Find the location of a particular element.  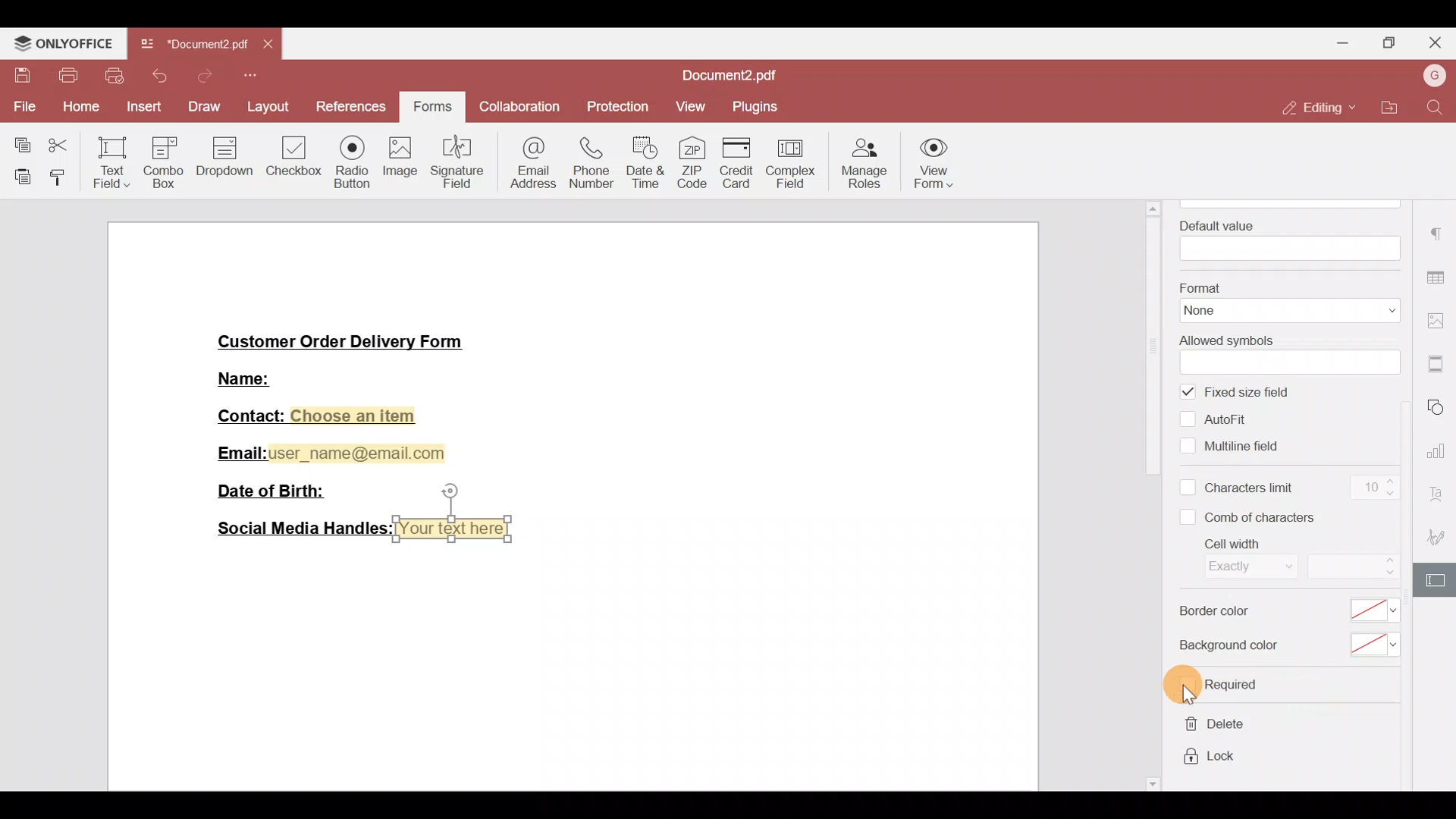

Email address is located at coordinates (527, 165).